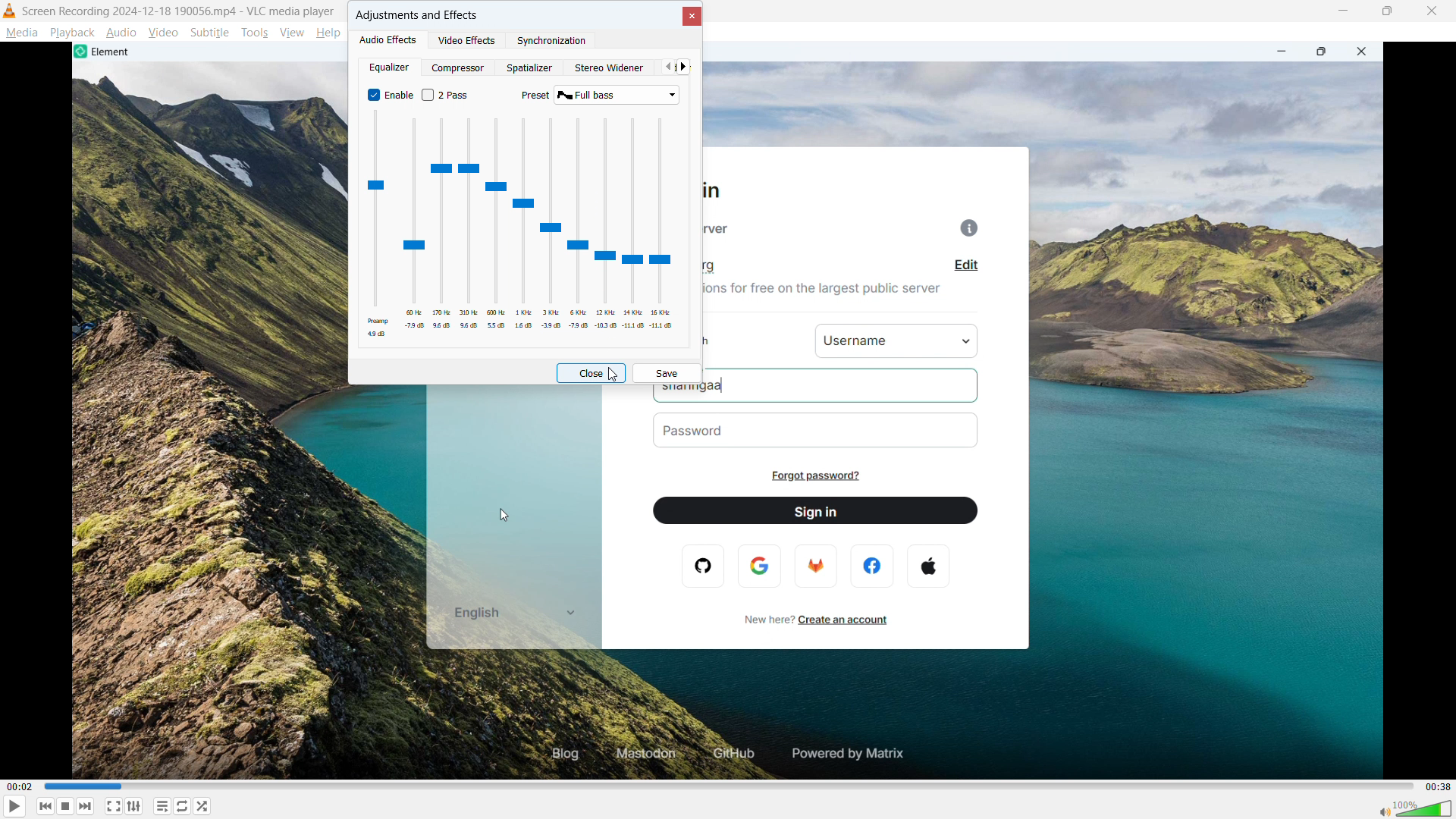 The width and height of the screenshot is (1456, 819). Describe the element at coordinates (329, 33) in the screenshot. I see `help ` at that location.